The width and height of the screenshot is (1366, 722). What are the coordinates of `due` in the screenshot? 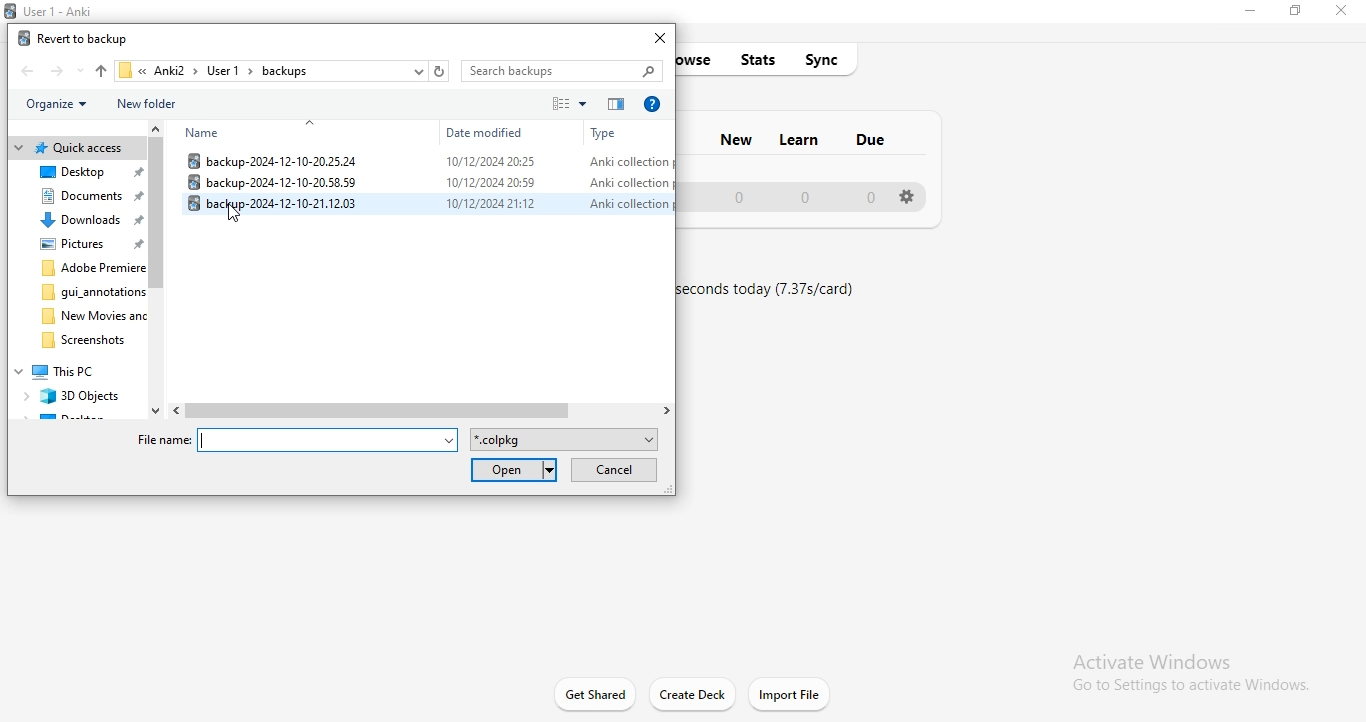 It's located at (871, 143).